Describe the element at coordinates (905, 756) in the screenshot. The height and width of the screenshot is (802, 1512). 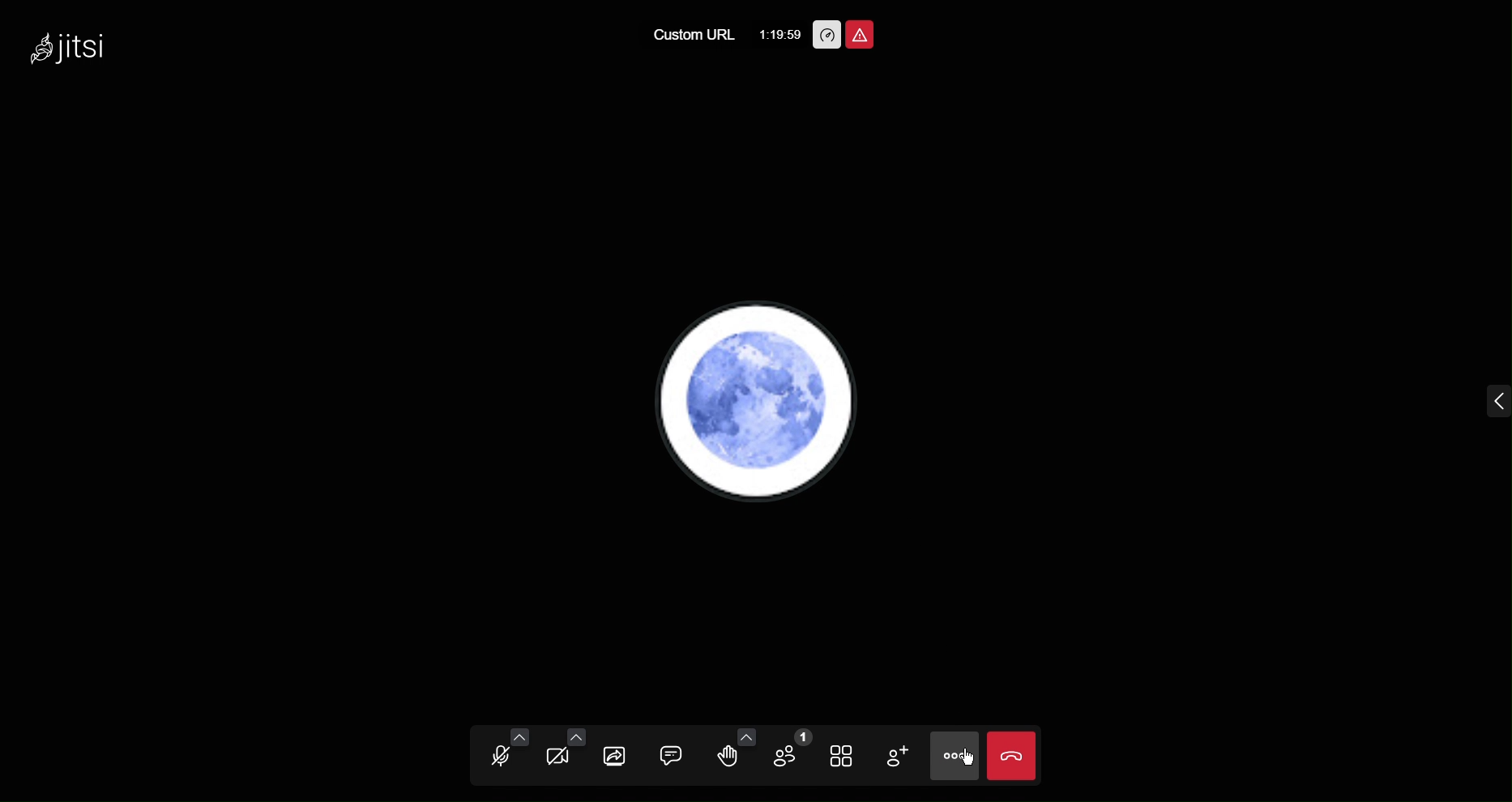
I see `Add Participant` at that location.